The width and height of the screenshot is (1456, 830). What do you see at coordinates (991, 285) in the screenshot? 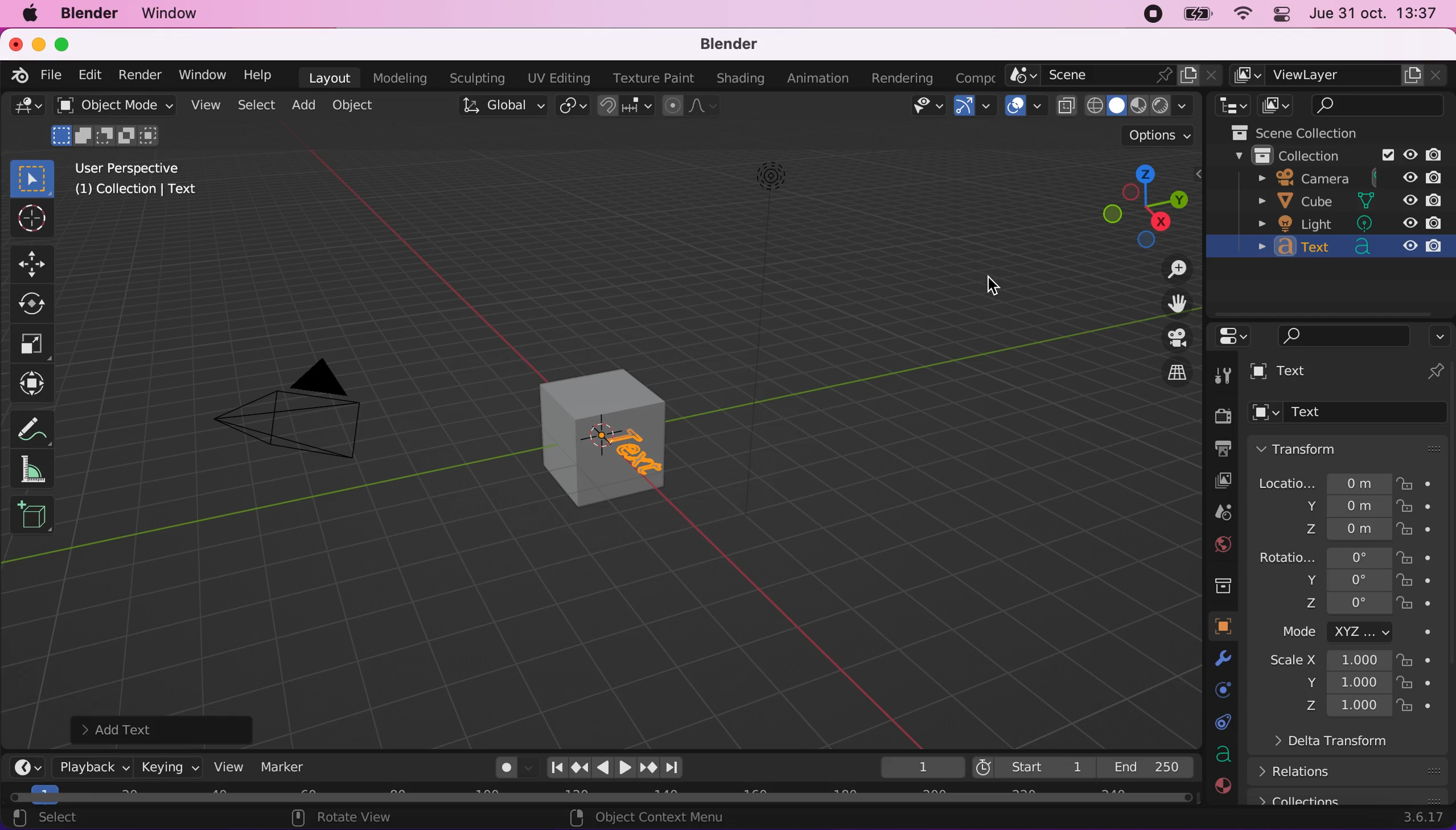
I see `cursor` at bounding box center [991, 285].